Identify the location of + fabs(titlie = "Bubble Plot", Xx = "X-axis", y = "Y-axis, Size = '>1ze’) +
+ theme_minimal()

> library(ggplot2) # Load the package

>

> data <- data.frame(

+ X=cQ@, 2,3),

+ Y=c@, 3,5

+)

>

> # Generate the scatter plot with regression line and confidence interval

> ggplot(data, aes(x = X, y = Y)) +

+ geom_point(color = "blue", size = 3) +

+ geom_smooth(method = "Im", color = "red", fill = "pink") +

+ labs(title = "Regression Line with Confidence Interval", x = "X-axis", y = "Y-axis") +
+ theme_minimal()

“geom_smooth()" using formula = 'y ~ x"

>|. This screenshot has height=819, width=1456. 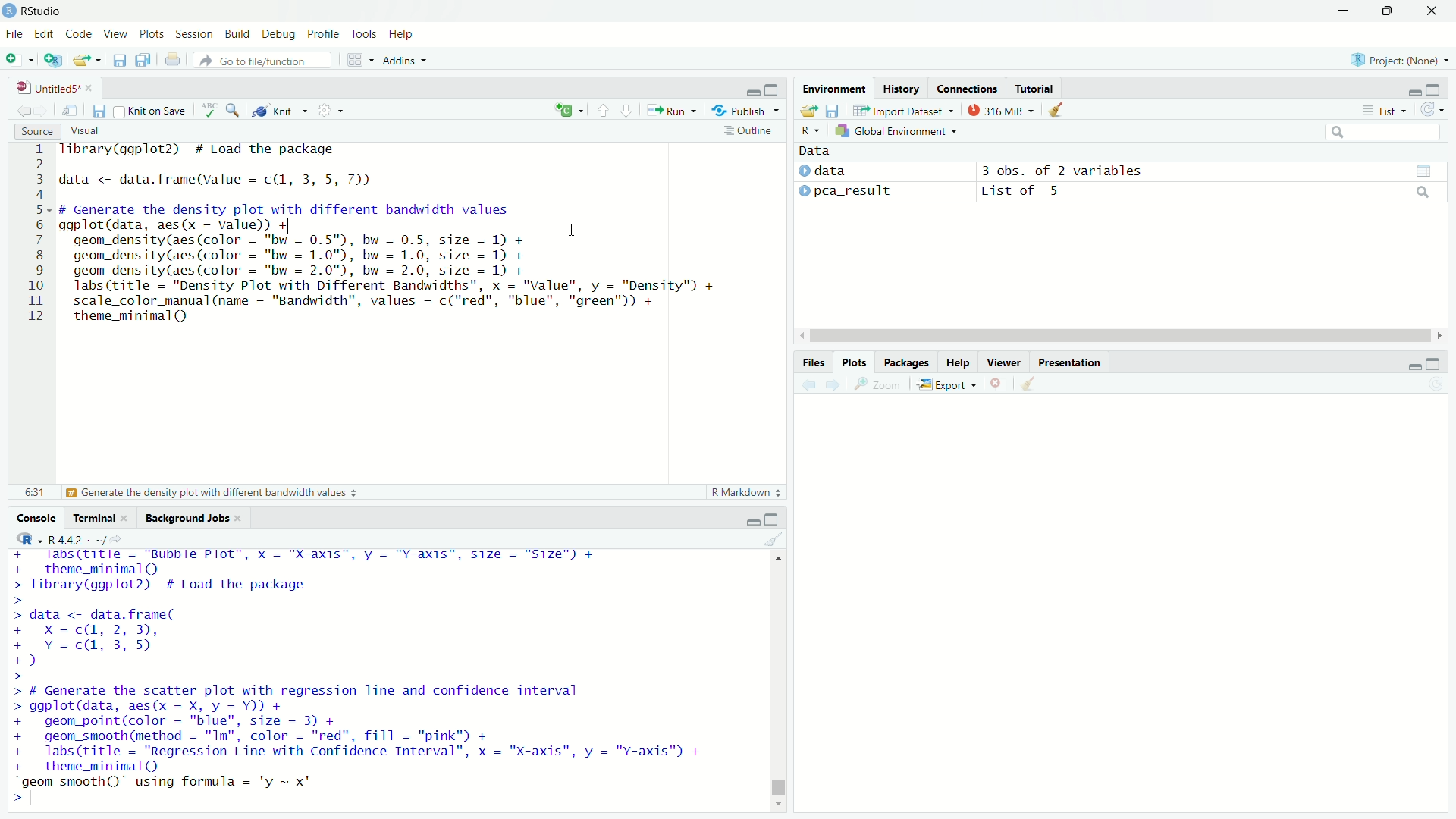
(362, 677).